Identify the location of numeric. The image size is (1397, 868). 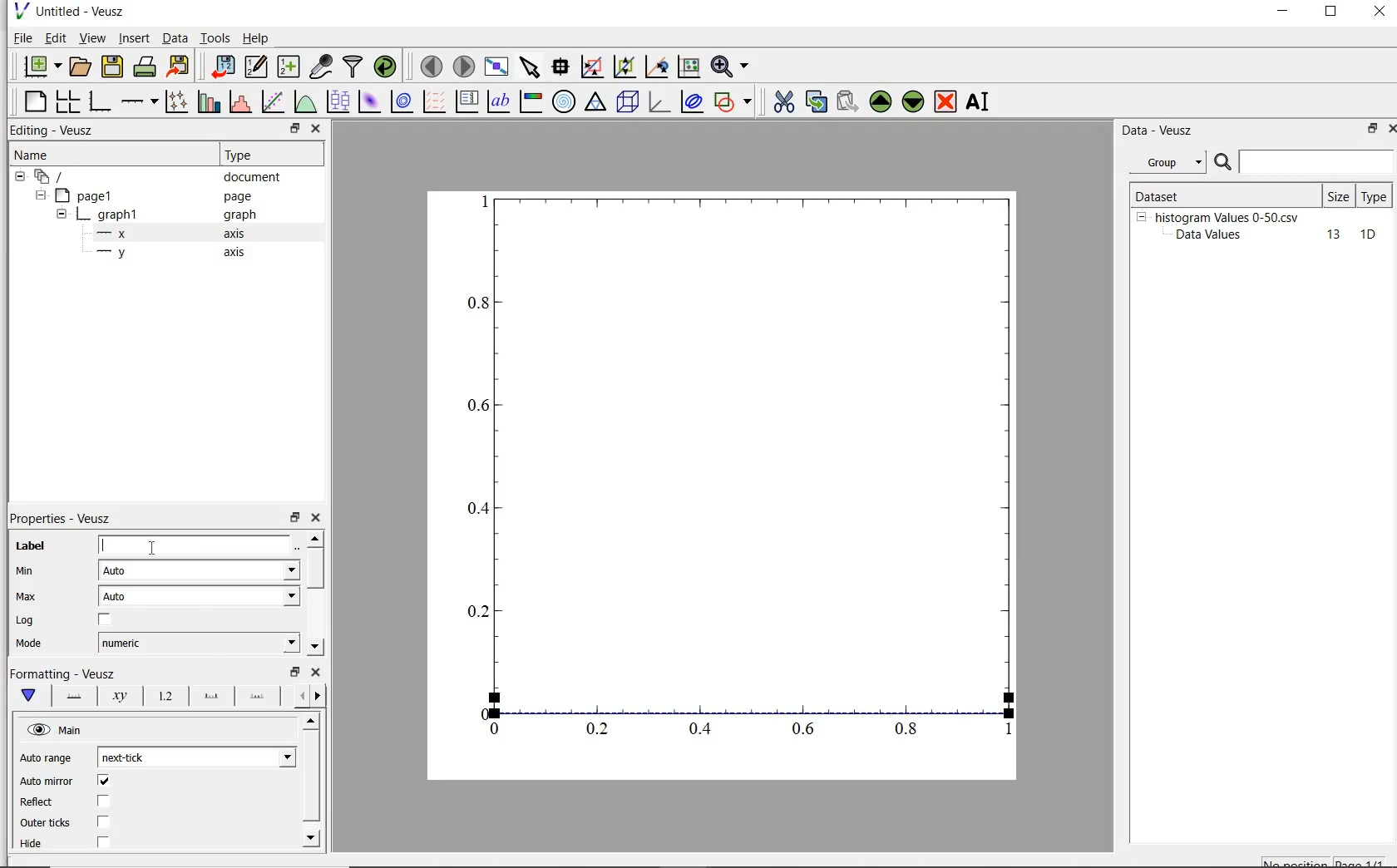
(197, 643).